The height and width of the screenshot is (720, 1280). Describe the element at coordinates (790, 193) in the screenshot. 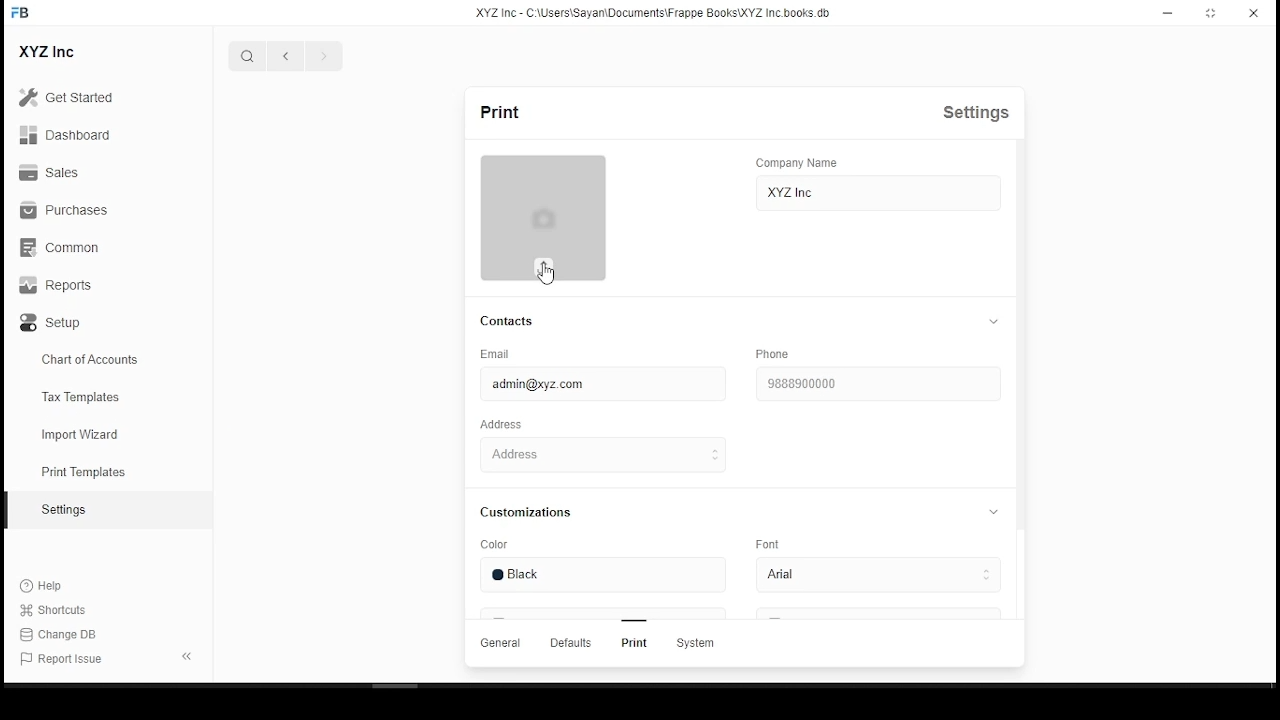

I see `XYZ inc` at that location.